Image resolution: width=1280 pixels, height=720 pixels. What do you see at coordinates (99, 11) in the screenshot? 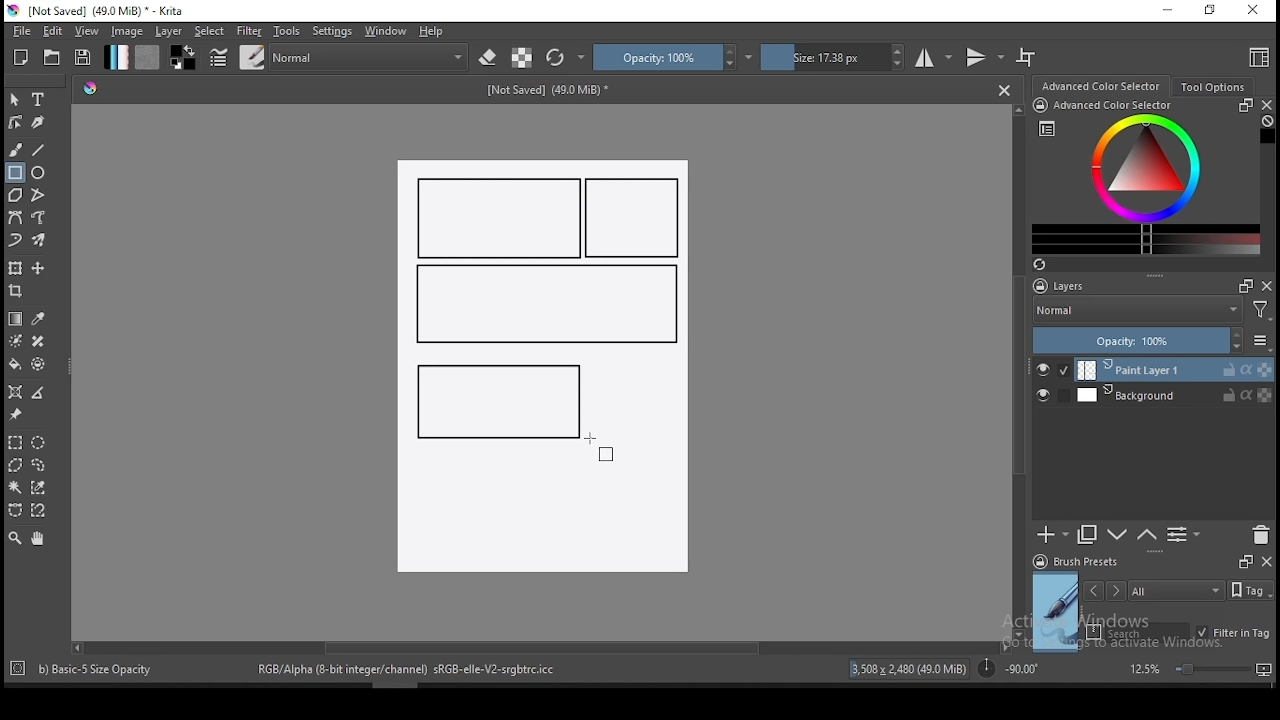
I see `icon and file name` at bounding box center [99, 11].